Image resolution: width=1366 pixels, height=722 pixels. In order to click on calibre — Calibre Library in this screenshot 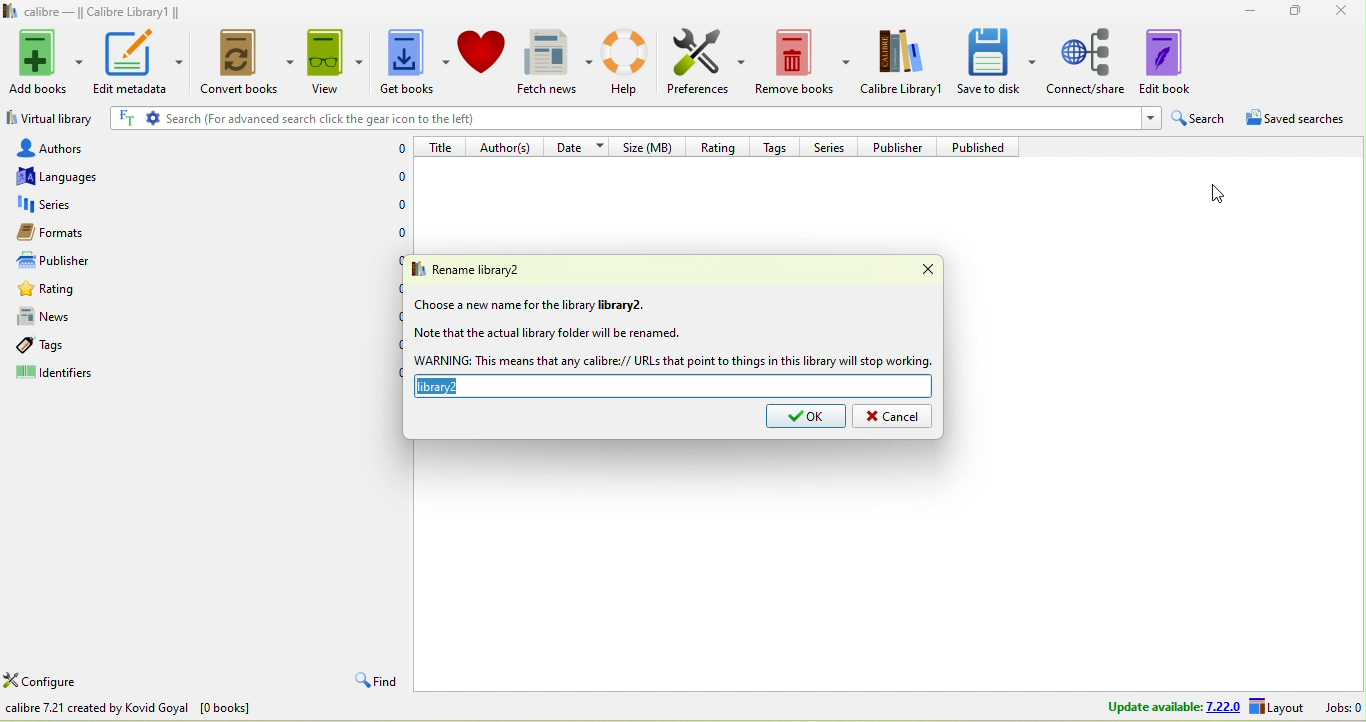, I will do `click(88, 12)`.